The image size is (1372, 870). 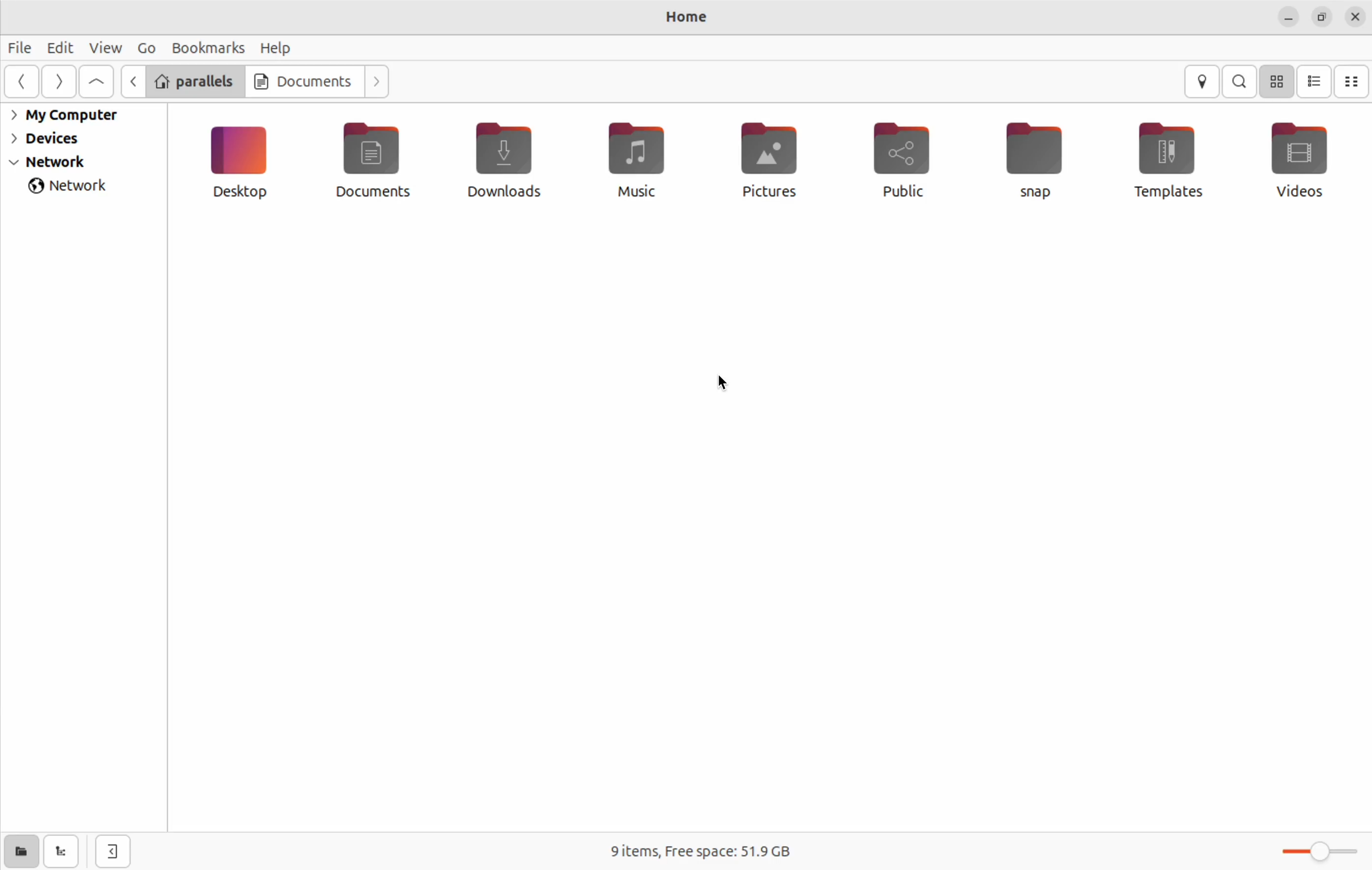 I want to click on network, so click(x=75, y=185).